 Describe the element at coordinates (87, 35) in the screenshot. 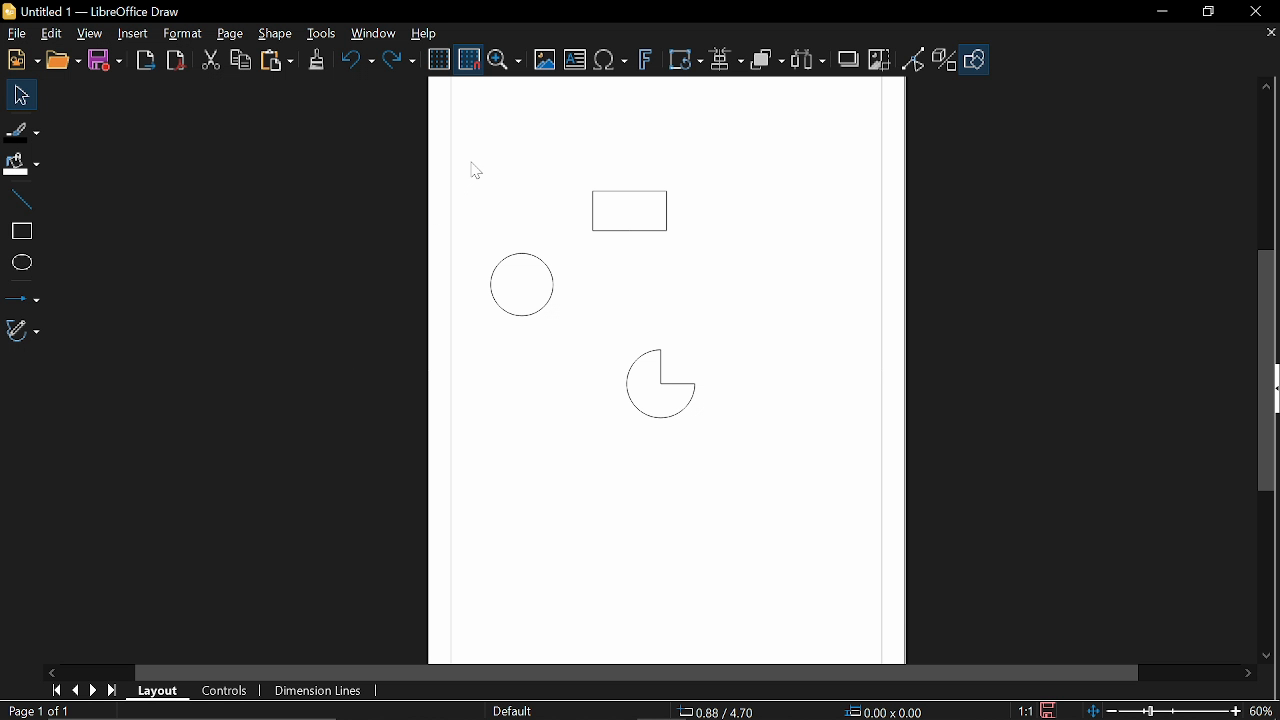

I see `View` at that location.